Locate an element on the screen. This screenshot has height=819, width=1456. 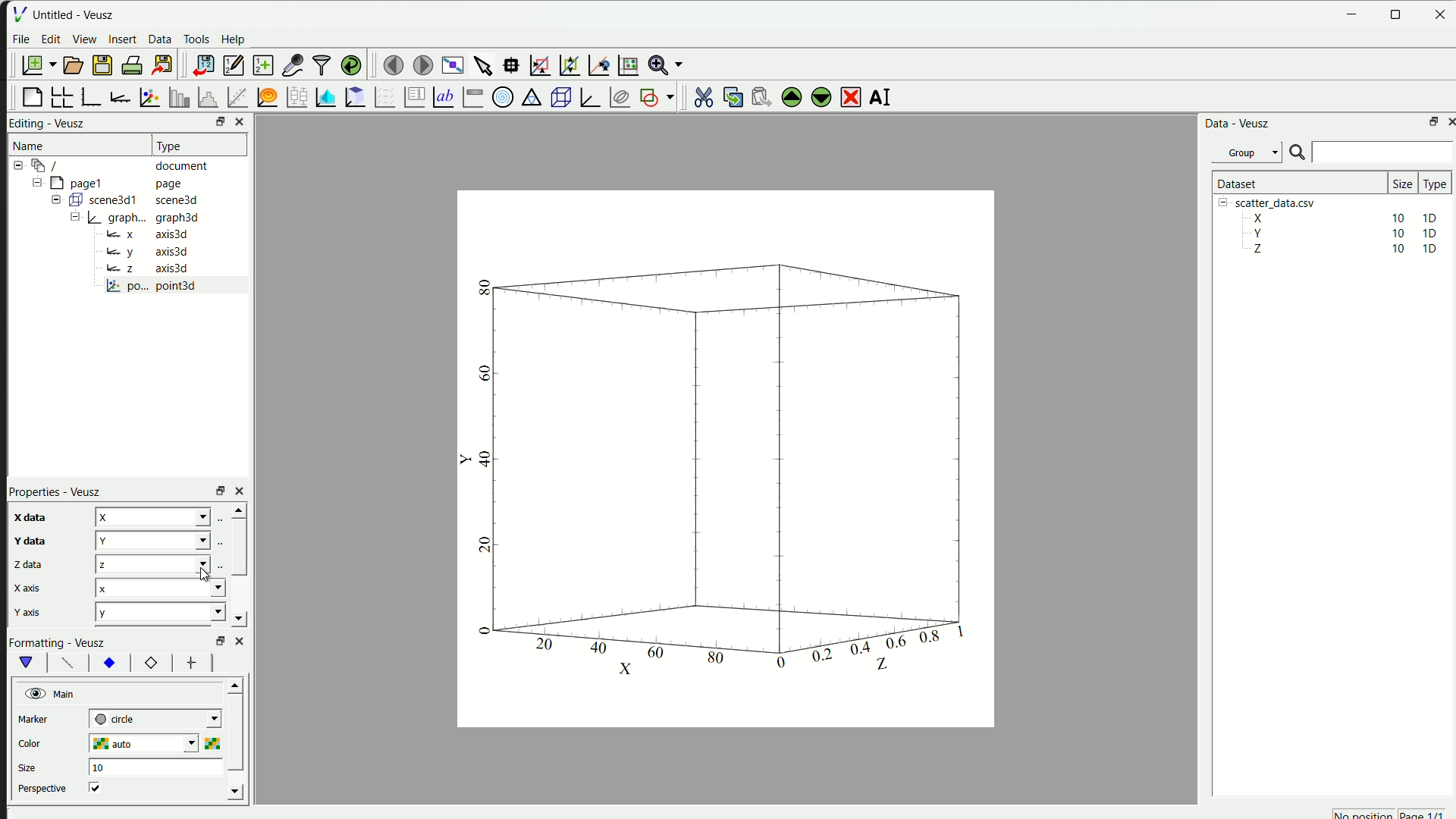
z is located at coordinates (170, 515).